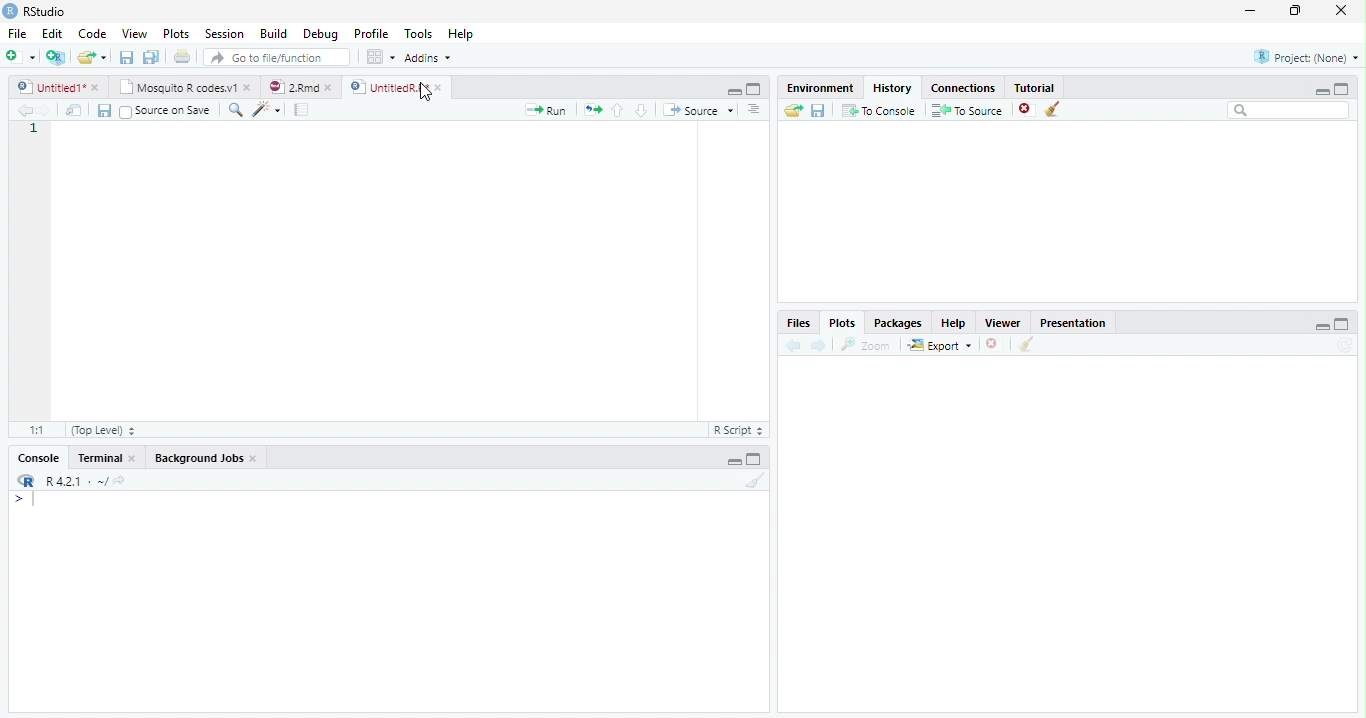 This screenshot has height=718, width=1366. Describe the element at coordinates (379, 56) in the screenshot. I see `Workspace pane` at that location.